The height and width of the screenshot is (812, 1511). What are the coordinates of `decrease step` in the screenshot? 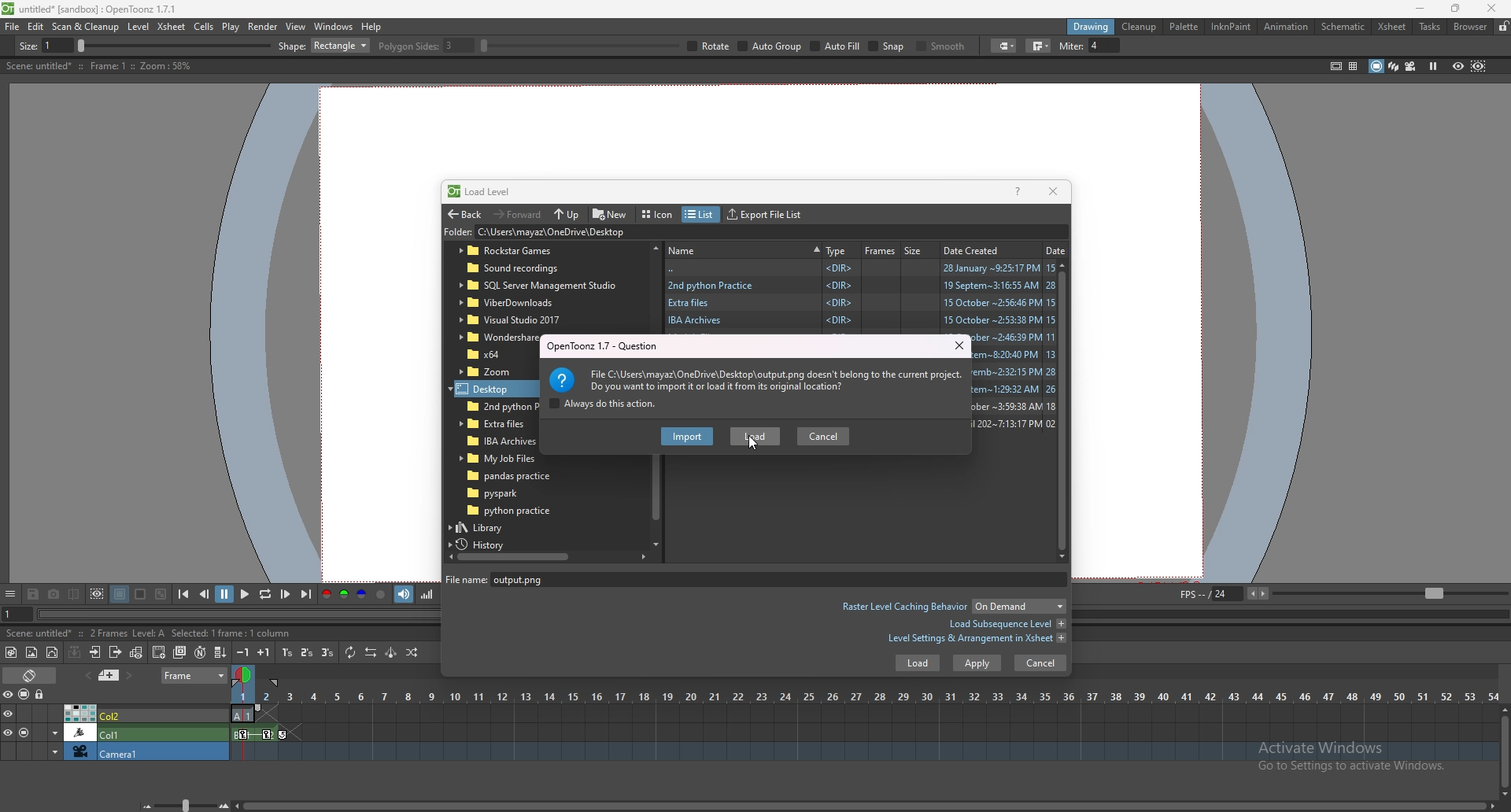 It's located at (243, 652).